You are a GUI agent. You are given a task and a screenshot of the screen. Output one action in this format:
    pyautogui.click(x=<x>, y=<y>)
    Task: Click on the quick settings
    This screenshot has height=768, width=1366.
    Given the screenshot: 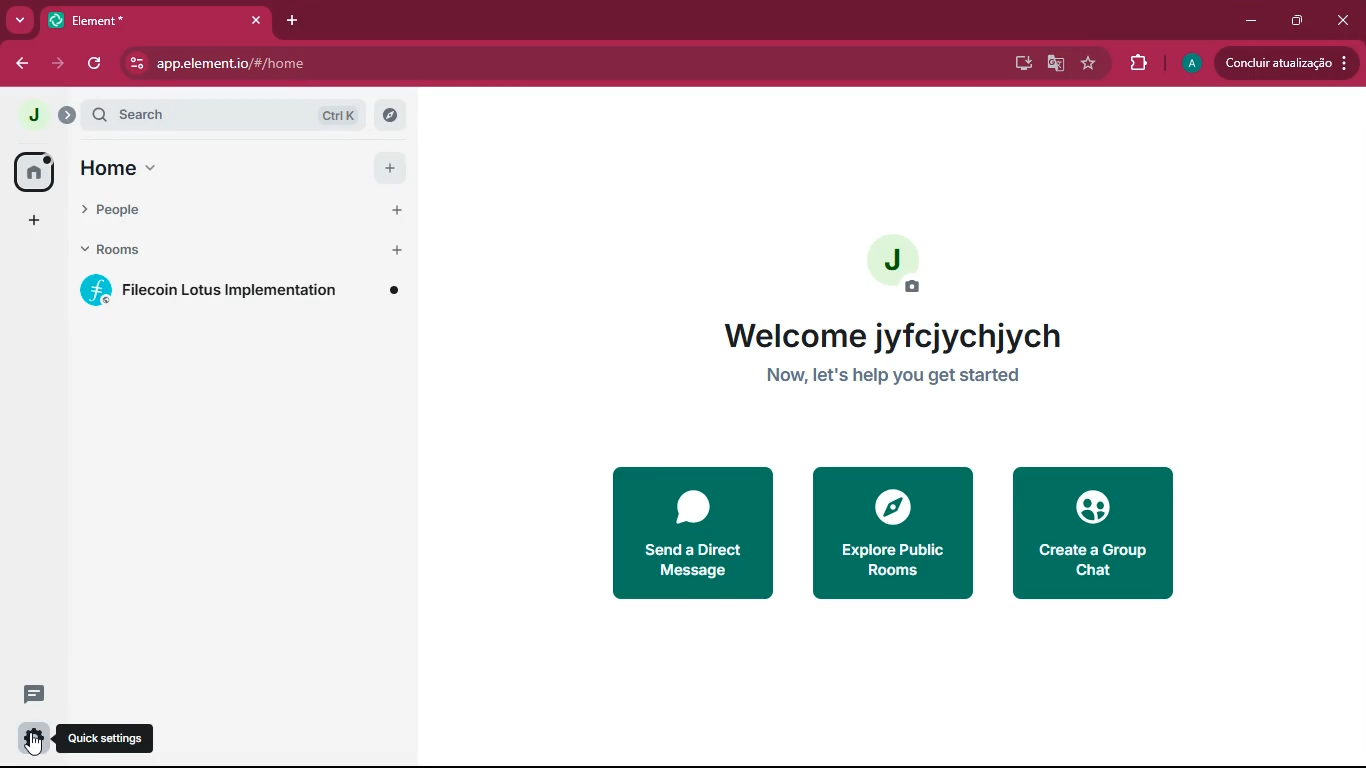 What is the action you would take?
    pyautogui.click(x=106, y=738)
    